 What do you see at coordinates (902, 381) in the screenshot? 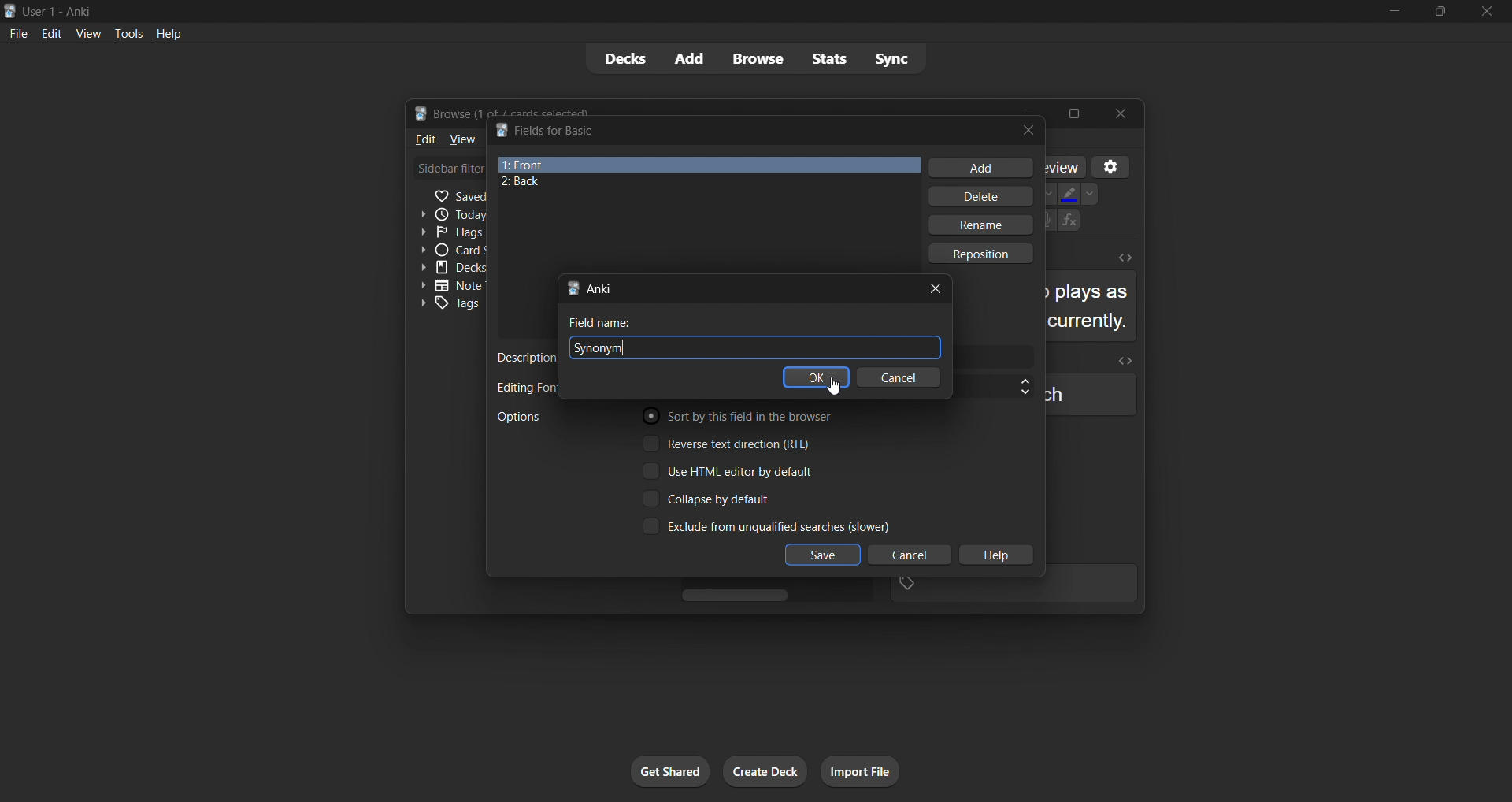
I see `cancel` at bounding box center [902, 381].